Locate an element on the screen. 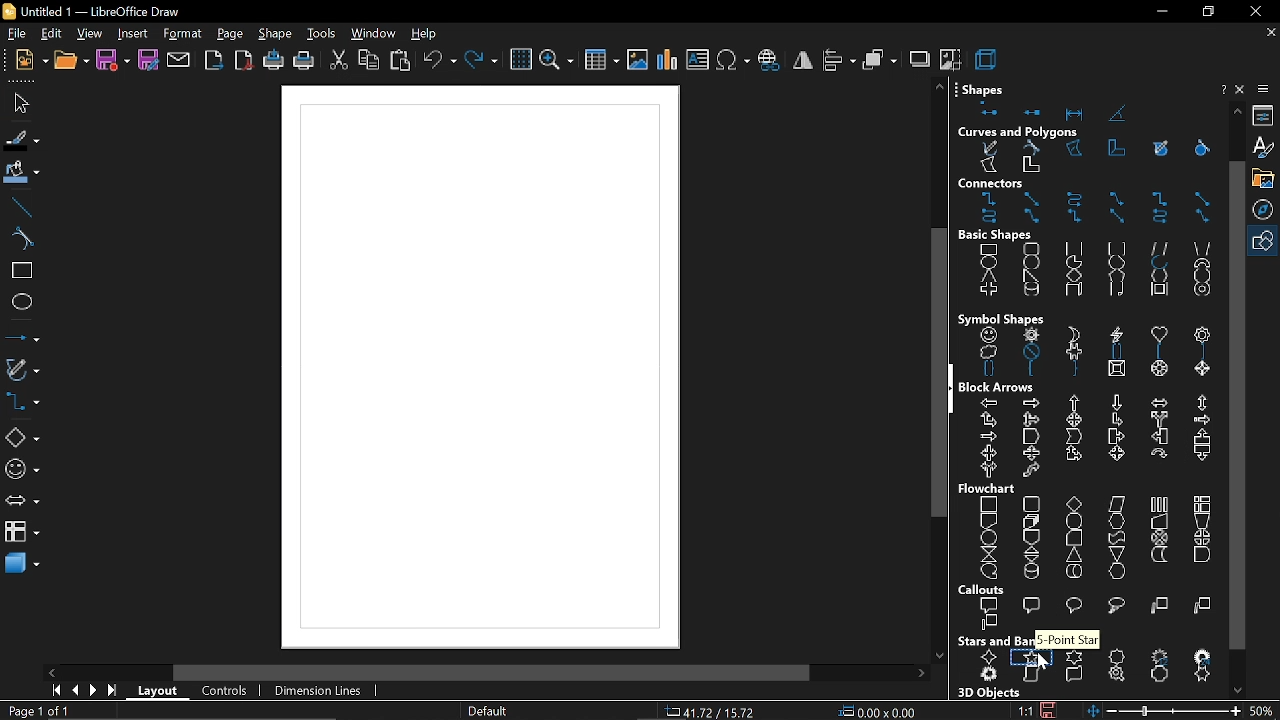 Image resolution: width=1280 pixels, height=720 pixels. co-ordinates is located at coordinates (714, 712).